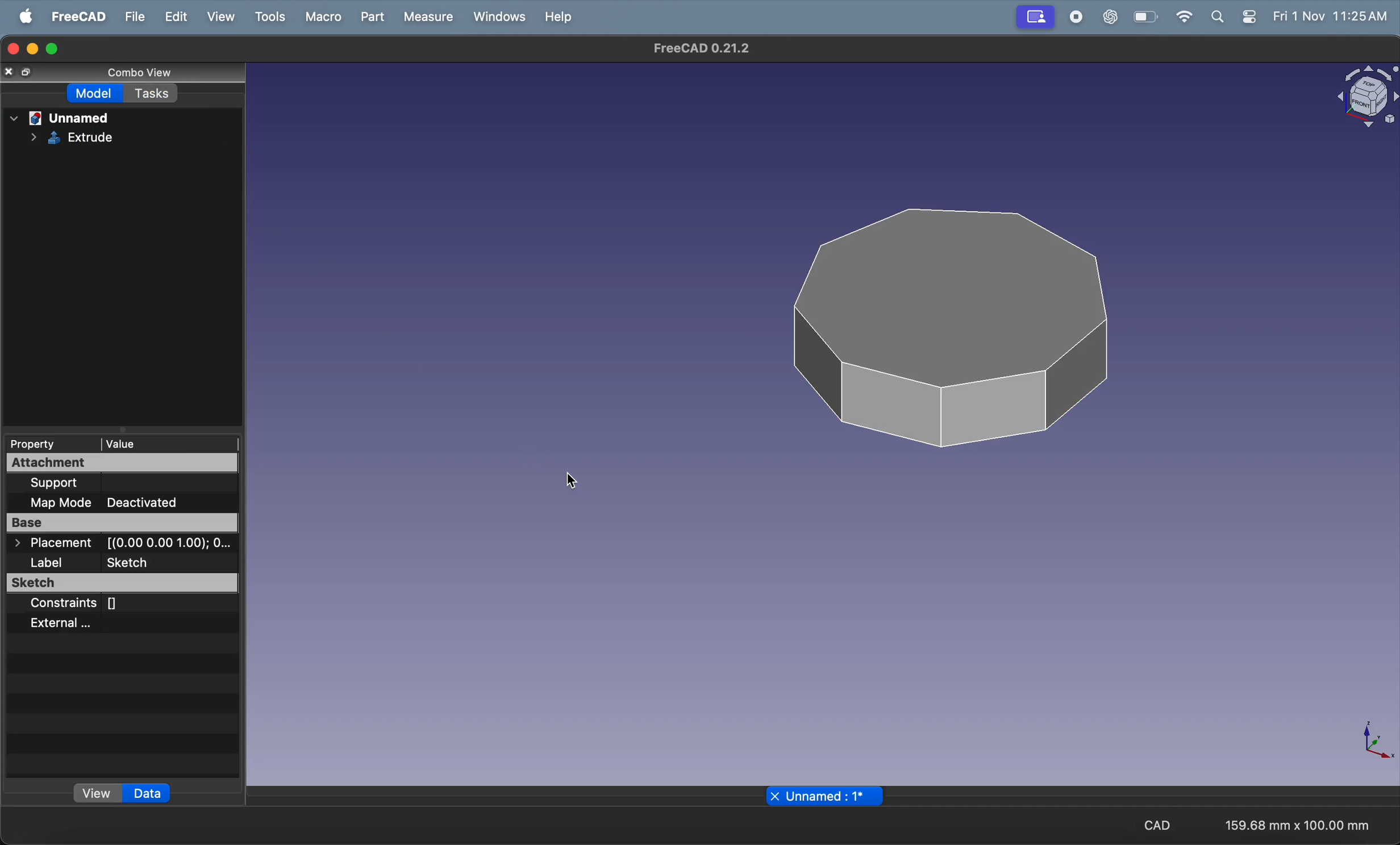 The height and width of the screenshot is (845, 1400). What do you see at coordinates (111, 464) in the screenshot?
I see `attachment` at bounding box center [111, 464].